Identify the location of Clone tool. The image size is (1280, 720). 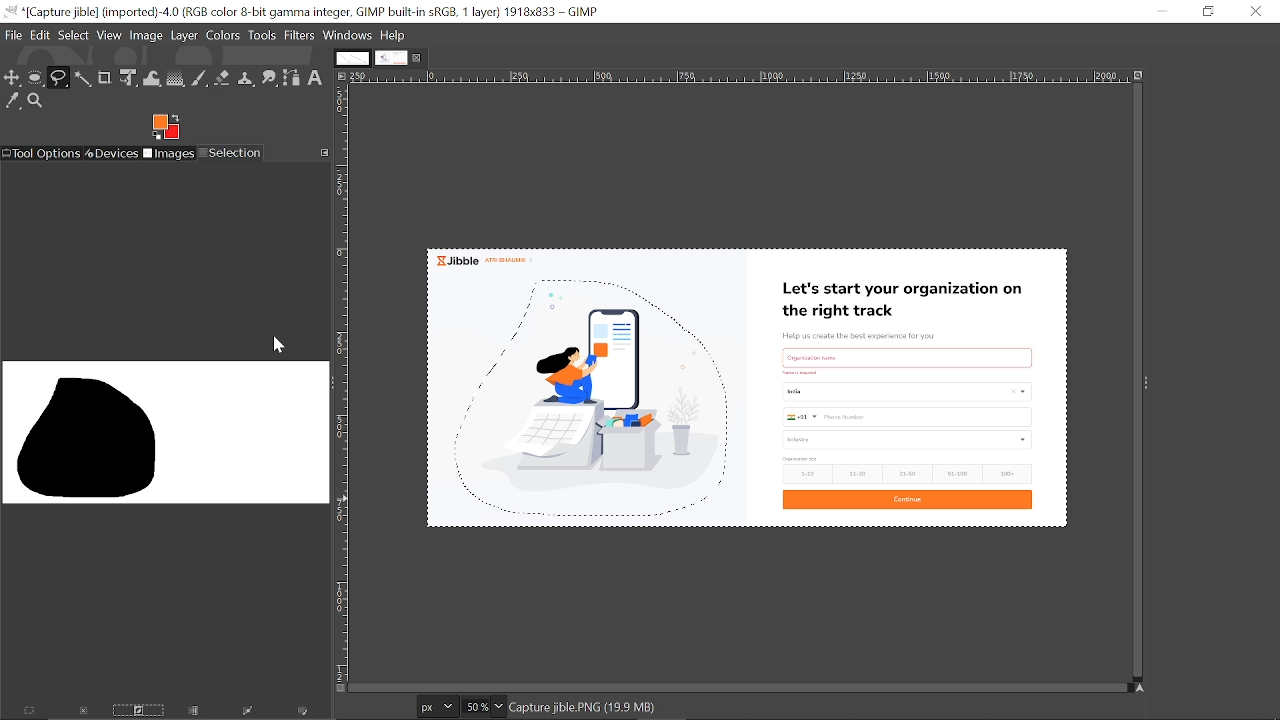
(248, 81).